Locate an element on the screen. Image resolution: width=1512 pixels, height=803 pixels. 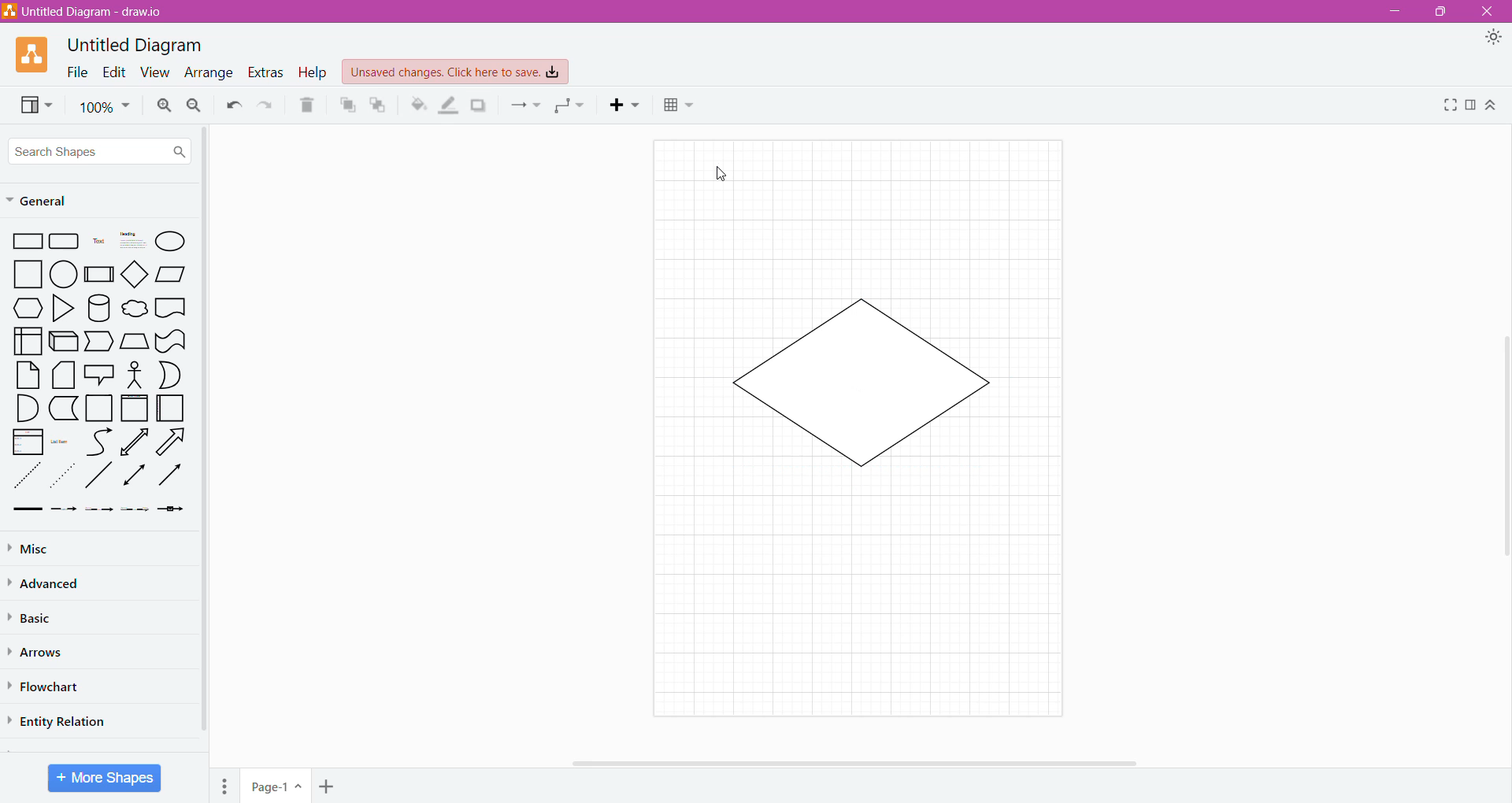
 is located at coordinates (227, 783).